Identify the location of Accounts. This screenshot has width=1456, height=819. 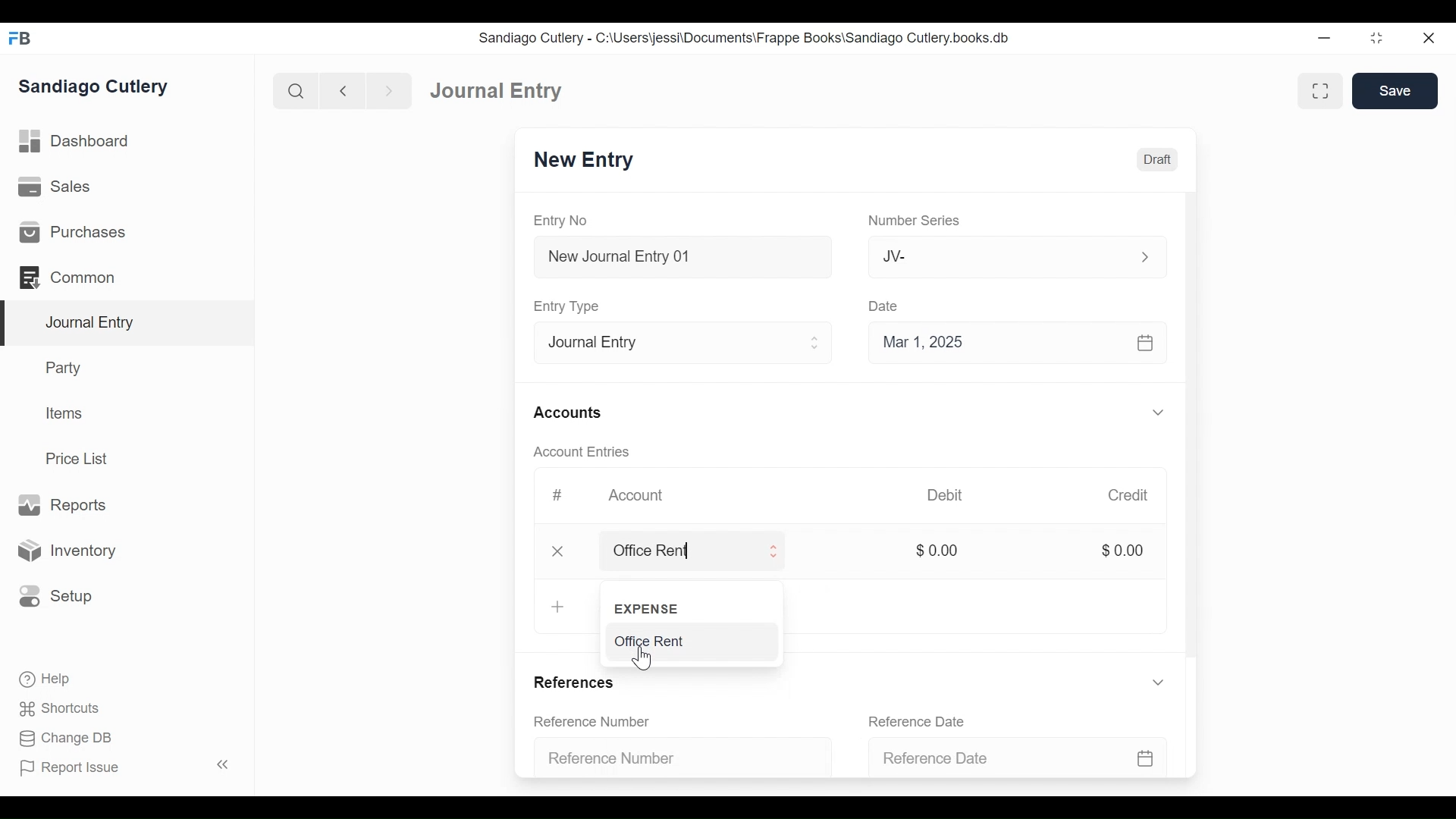
(566, 413).